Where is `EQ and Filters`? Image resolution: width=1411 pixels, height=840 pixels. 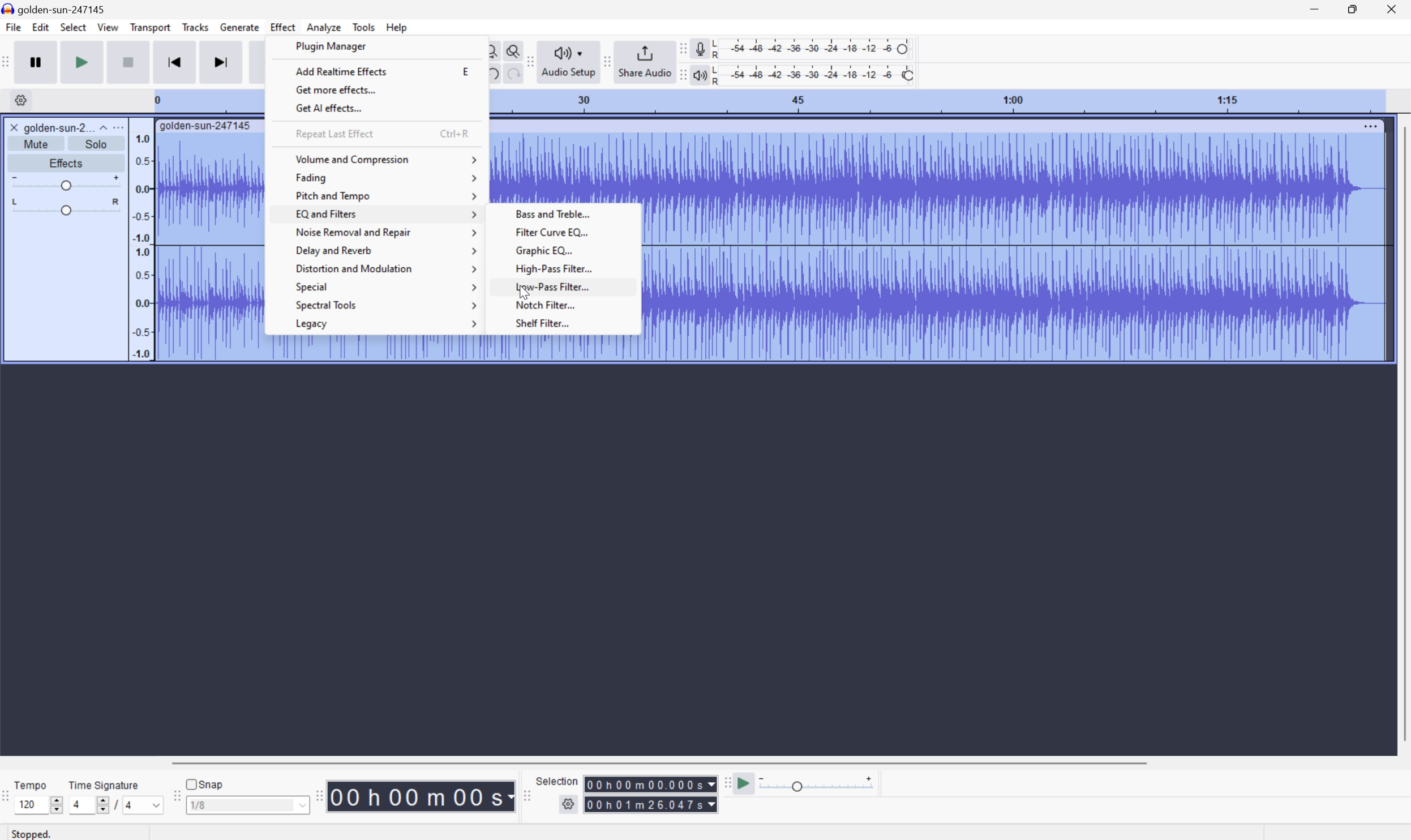 EQ and Filters is located at coordinates (384, 214).